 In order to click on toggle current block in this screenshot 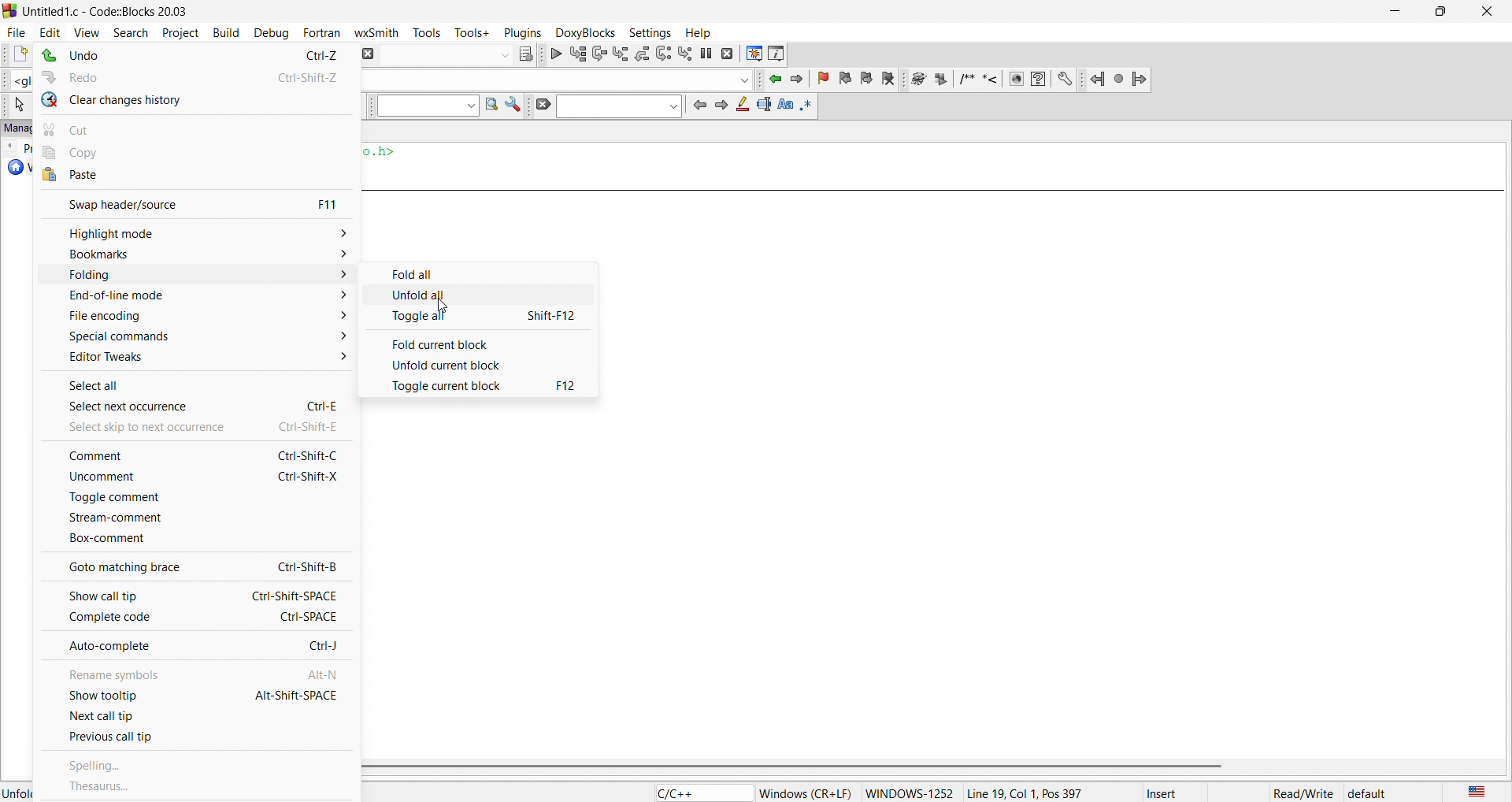, I will do `click(484, 386)`.